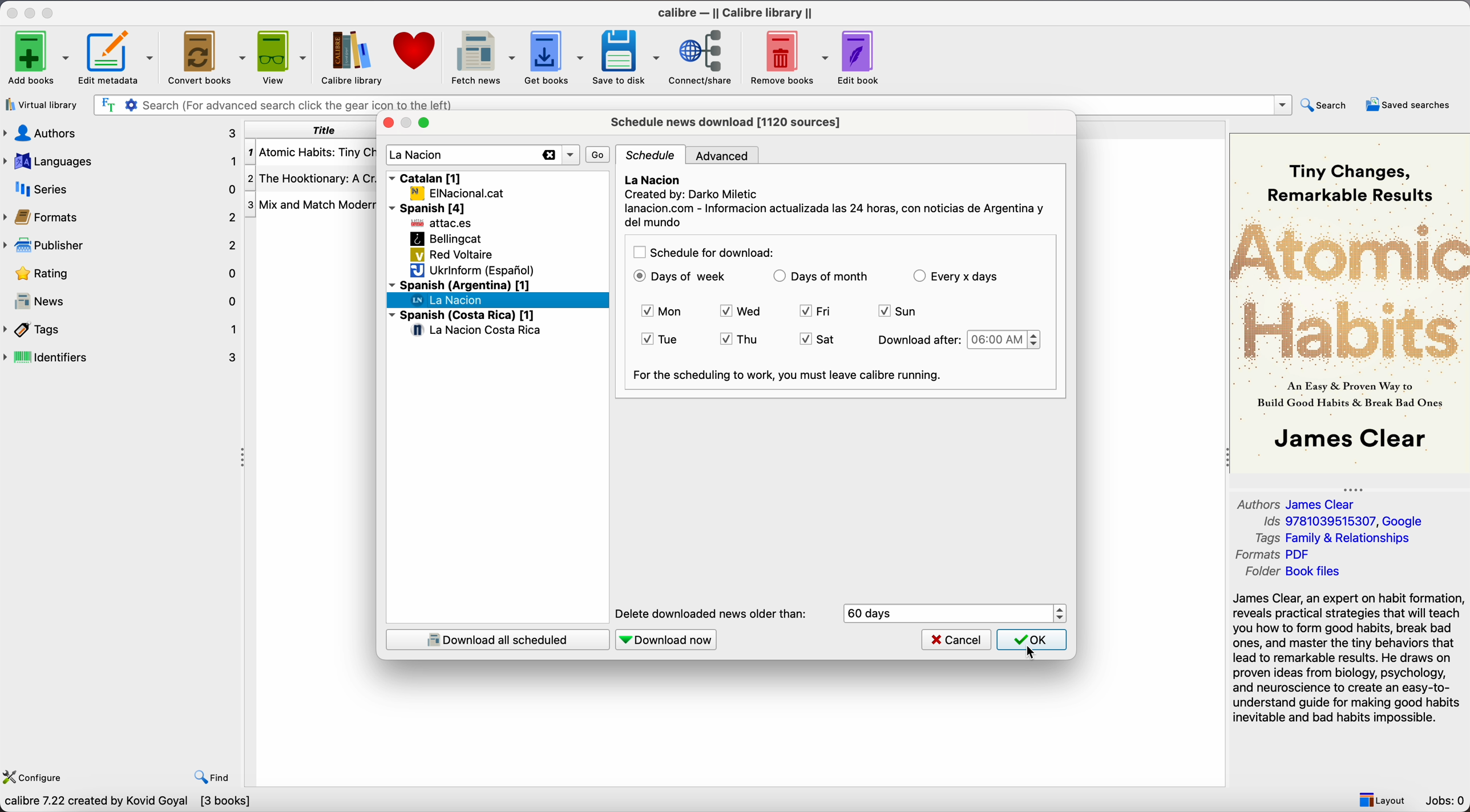 Image resolution: width=1470 pixels, height=812 pixels. Describe the element at coordinates (1298, 503) in the screenshot. I see `Authors James Clear` at that location.